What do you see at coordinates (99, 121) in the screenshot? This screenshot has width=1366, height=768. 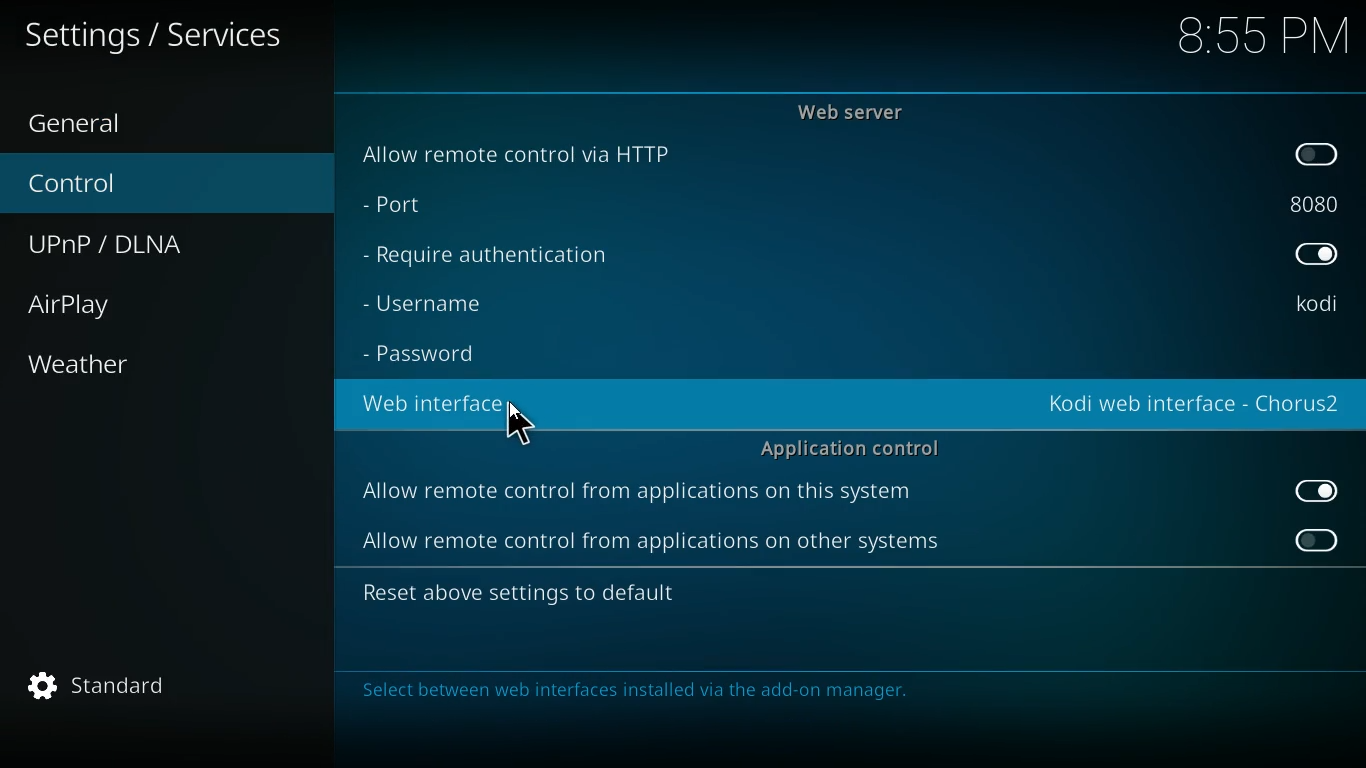 I see `General` at bounding box center [99, 121].